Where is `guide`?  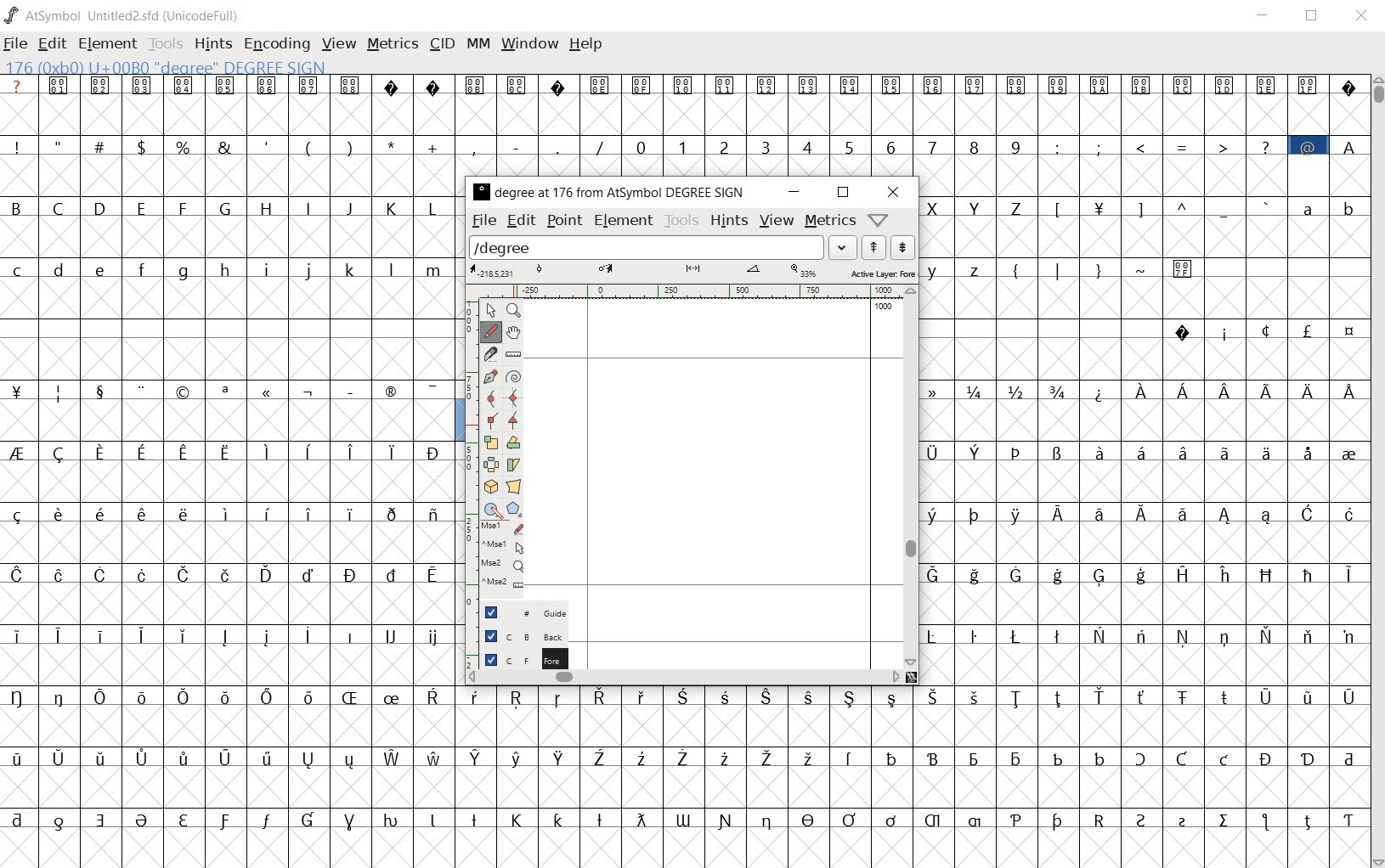 guide is located at coordinates (517, 612).